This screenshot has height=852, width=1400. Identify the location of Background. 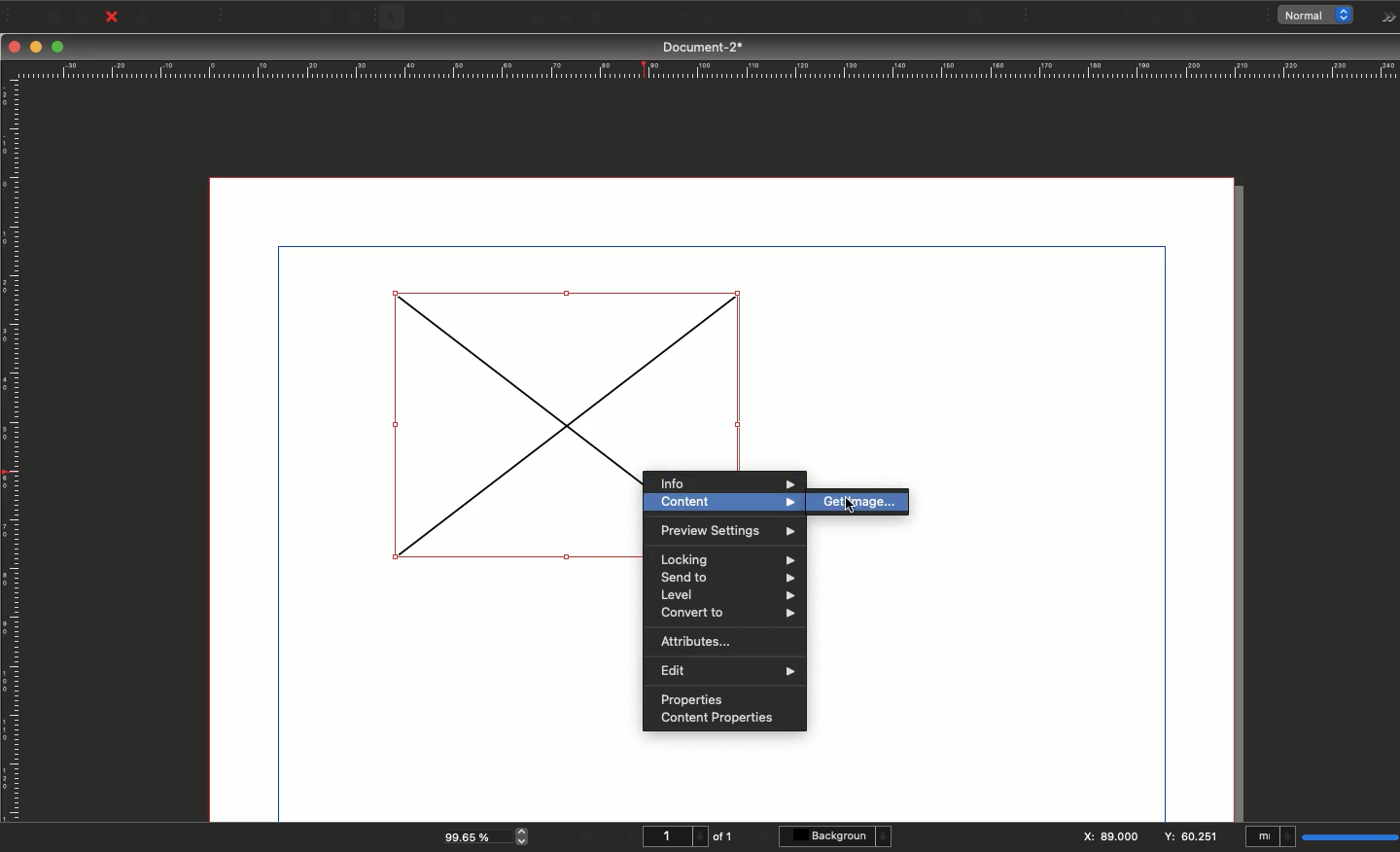
(838, 836).